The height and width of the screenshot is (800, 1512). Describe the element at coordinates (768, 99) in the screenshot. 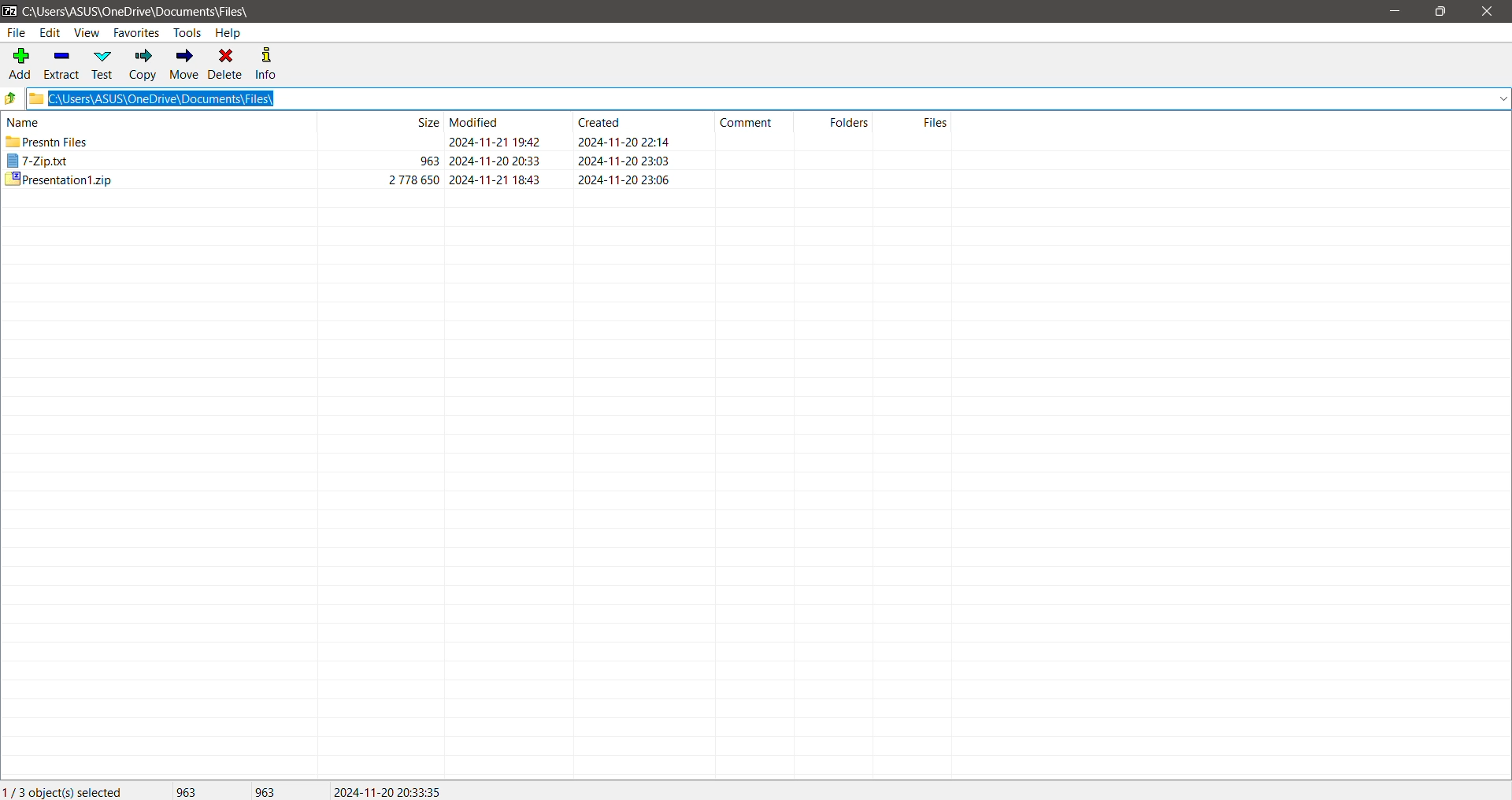

I see `Current Folder Path copied` at that location.